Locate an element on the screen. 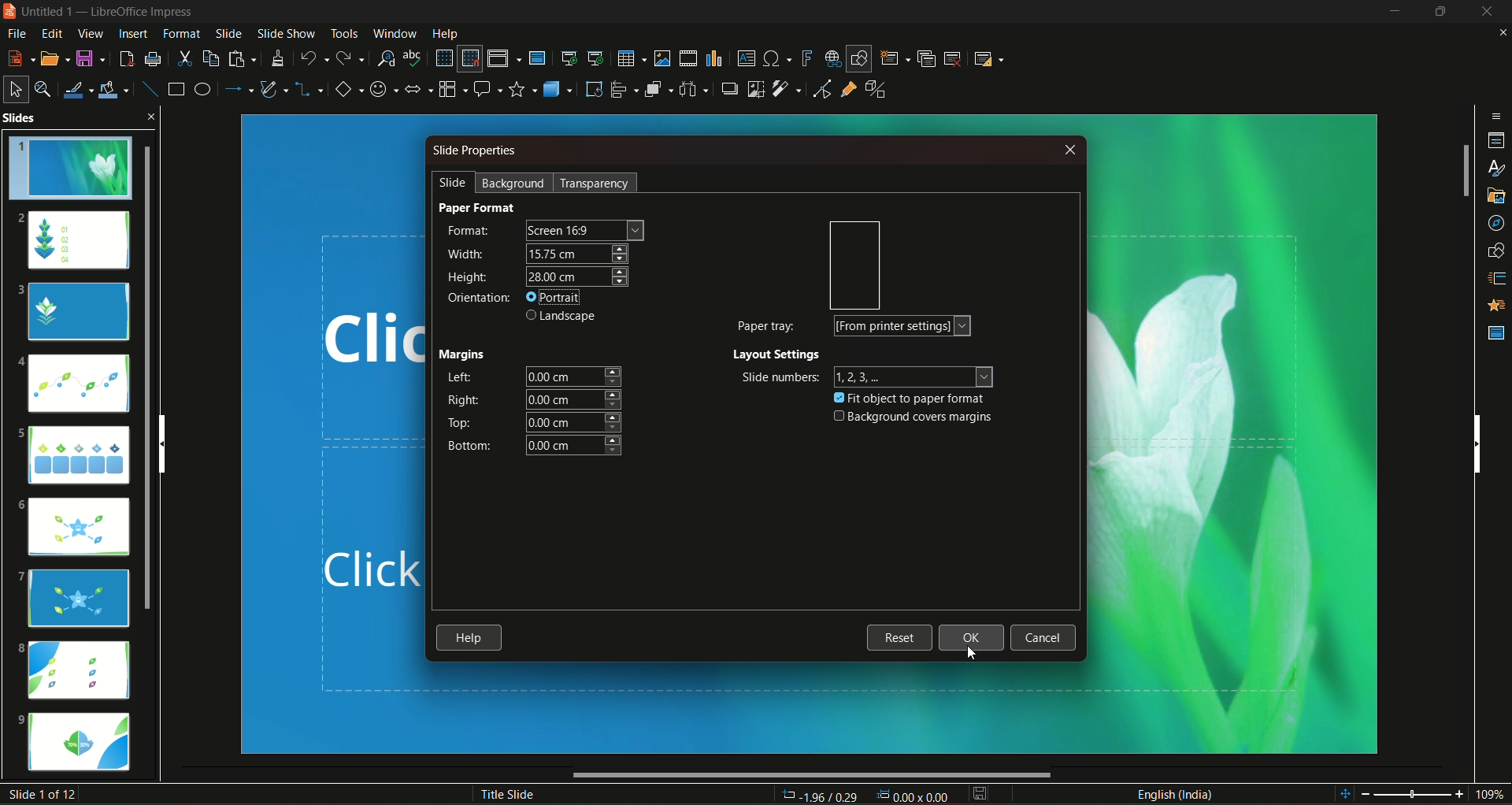 The height and width of the screenshot is (805, 1512). styles is located at coordinates (1493, 168).